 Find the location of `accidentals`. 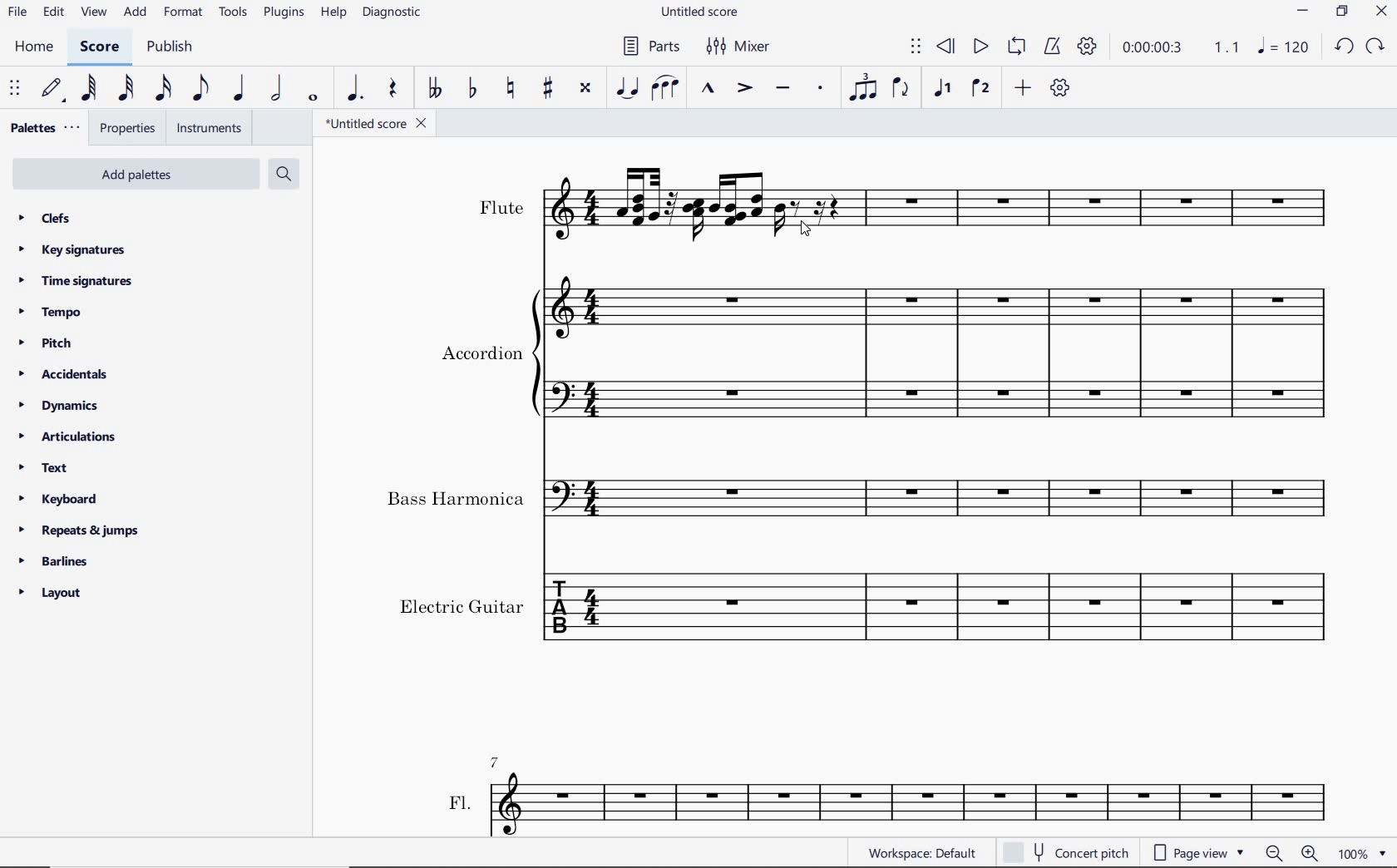

accidentals is located at coordinates (69, 373).